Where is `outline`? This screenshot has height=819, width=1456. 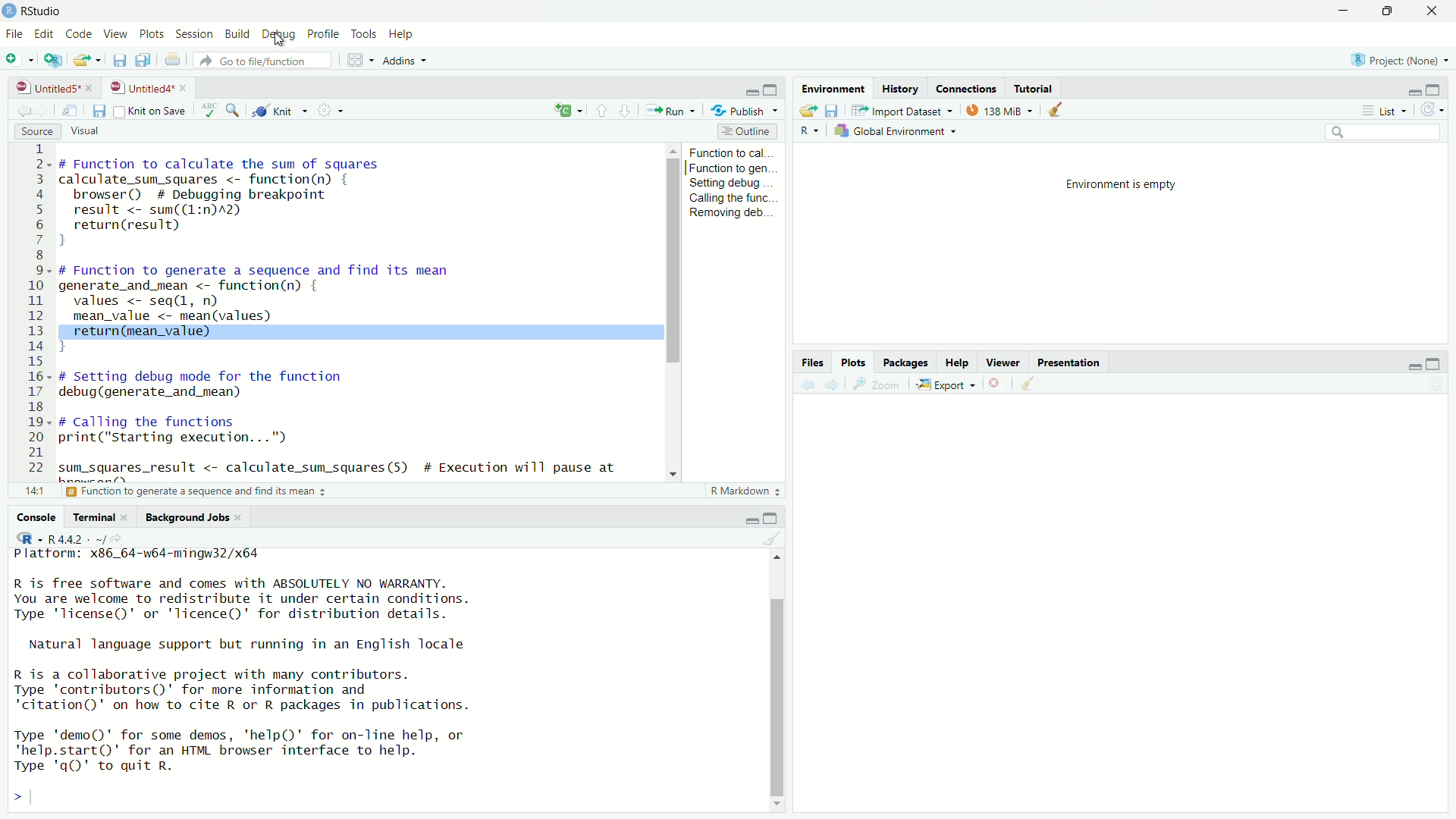 outline is located at coordinates (749, 130).